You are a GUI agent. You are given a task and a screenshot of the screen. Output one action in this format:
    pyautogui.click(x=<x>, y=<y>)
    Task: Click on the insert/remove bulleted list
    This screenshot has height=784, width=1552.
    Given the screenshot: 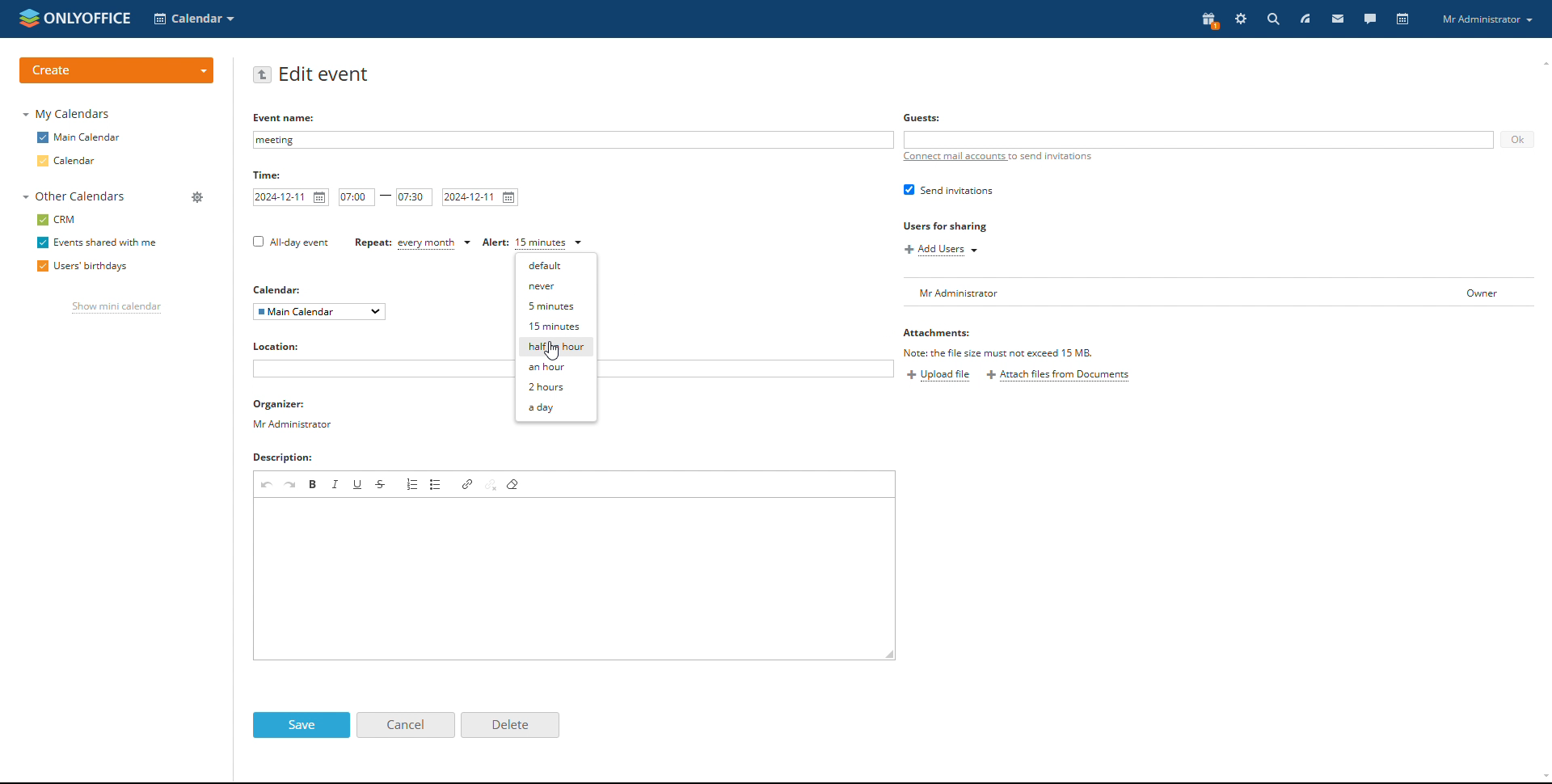 What is the action you would take?
    pyautogui.click(x=436, y=484)
    